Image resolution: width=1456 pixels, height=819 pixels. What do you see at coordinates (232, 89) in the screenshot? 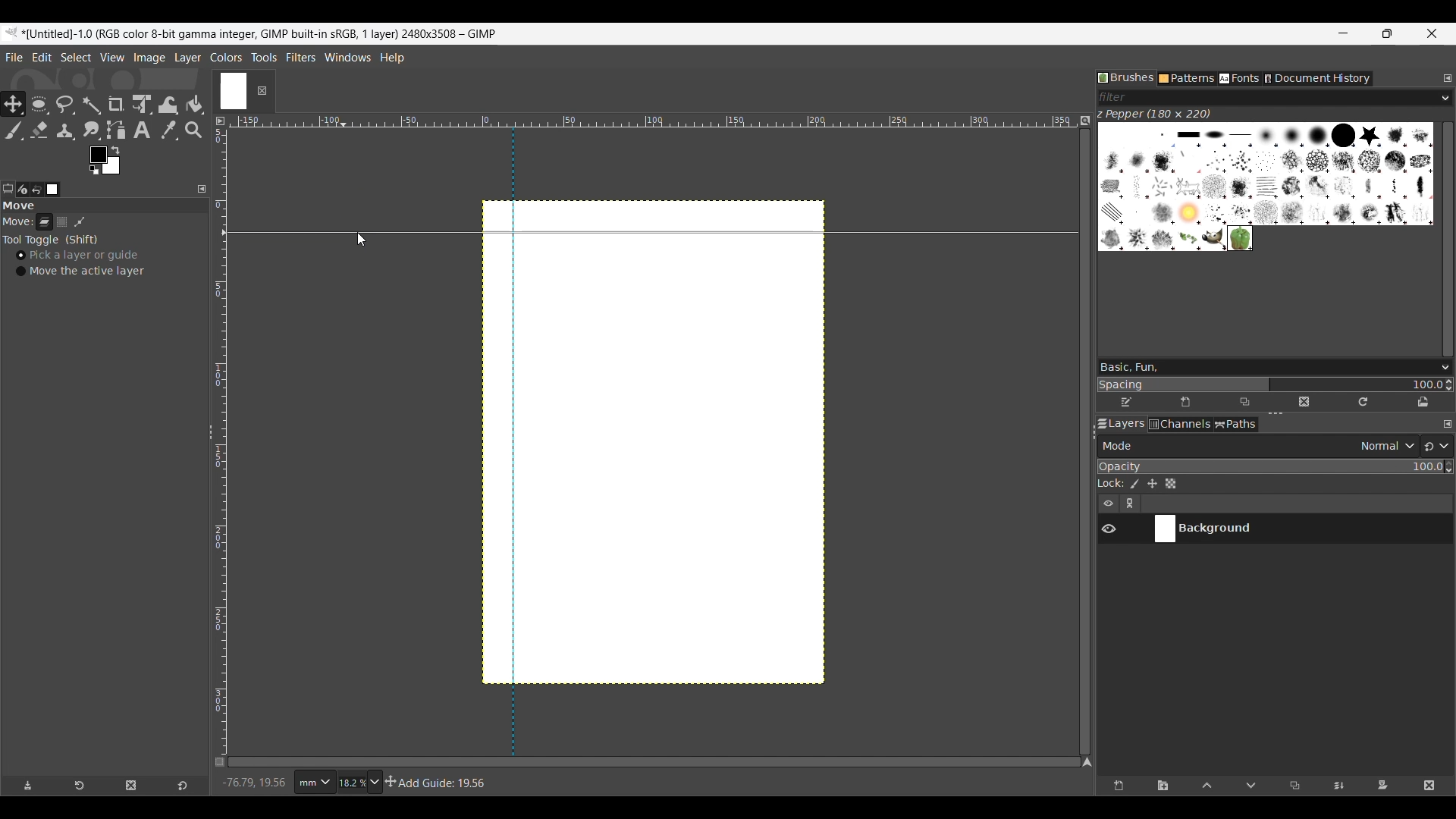
I see `Current tab` at bounding box center [232, 89].